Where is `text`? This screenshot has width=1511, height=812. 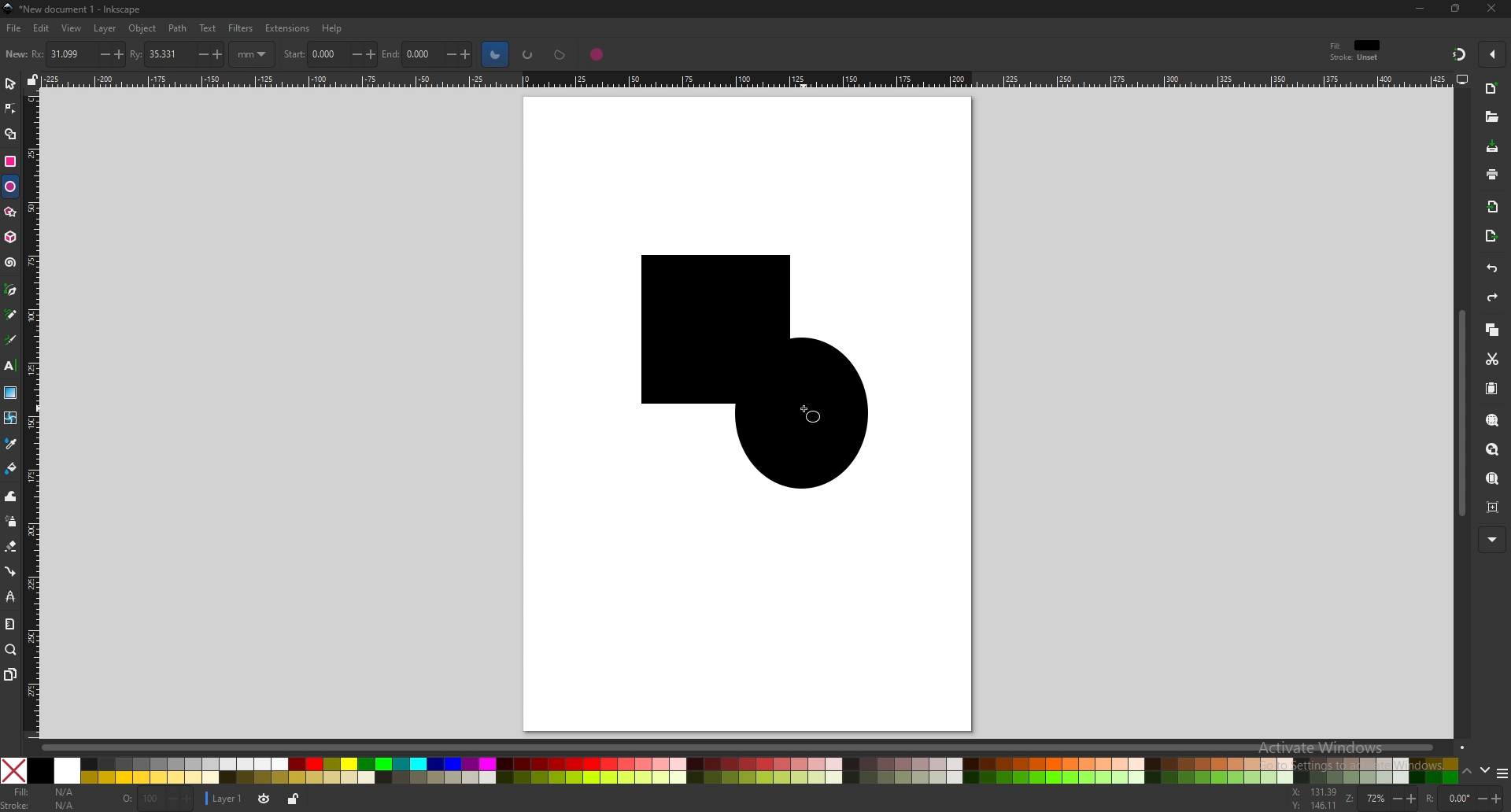
text is located at coordinates (10, 366).